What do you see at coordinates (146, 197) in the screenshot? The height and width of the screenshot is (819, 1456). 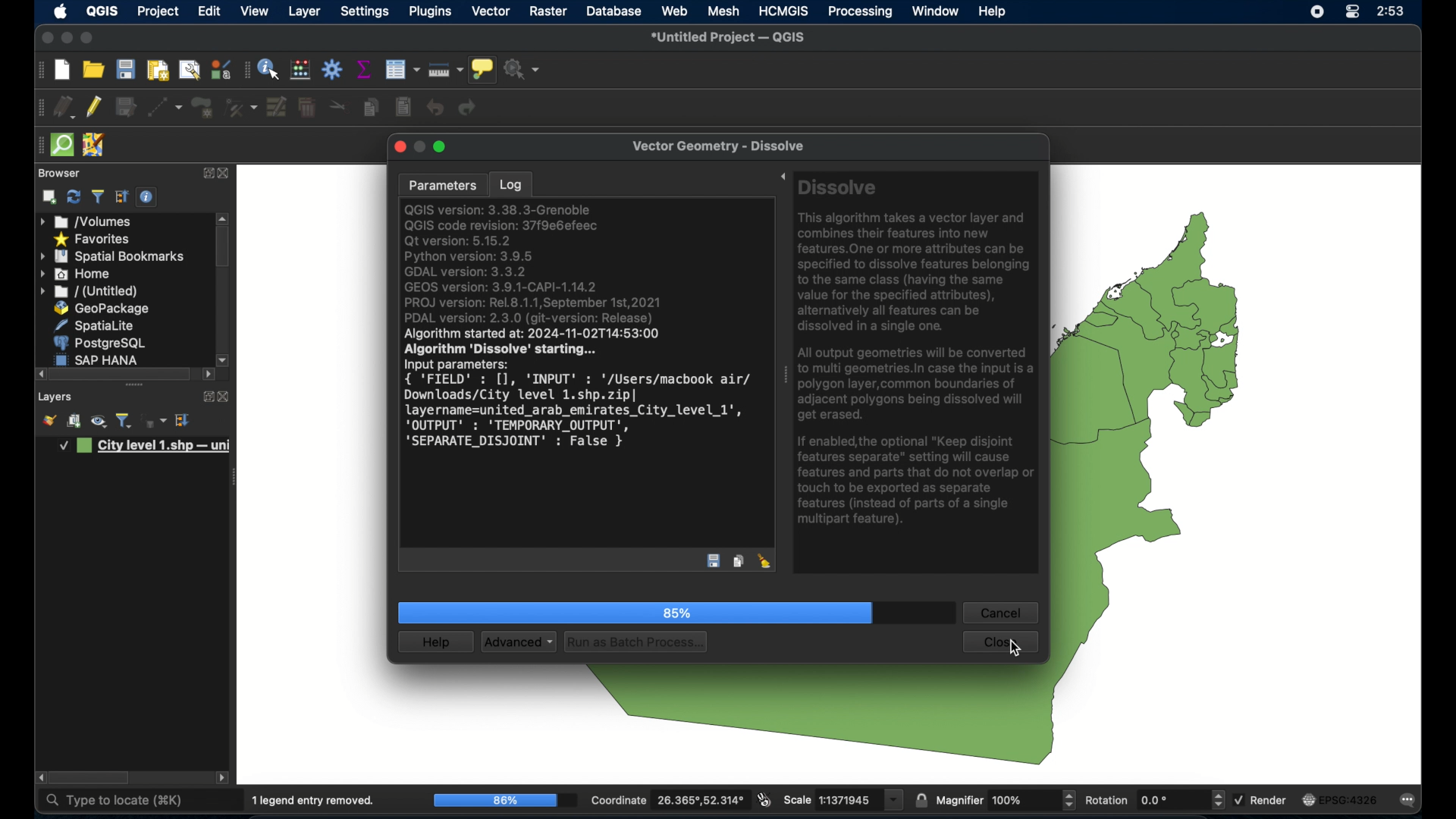 I see `enable/disable properties widget` at bounding box center [146, 197].